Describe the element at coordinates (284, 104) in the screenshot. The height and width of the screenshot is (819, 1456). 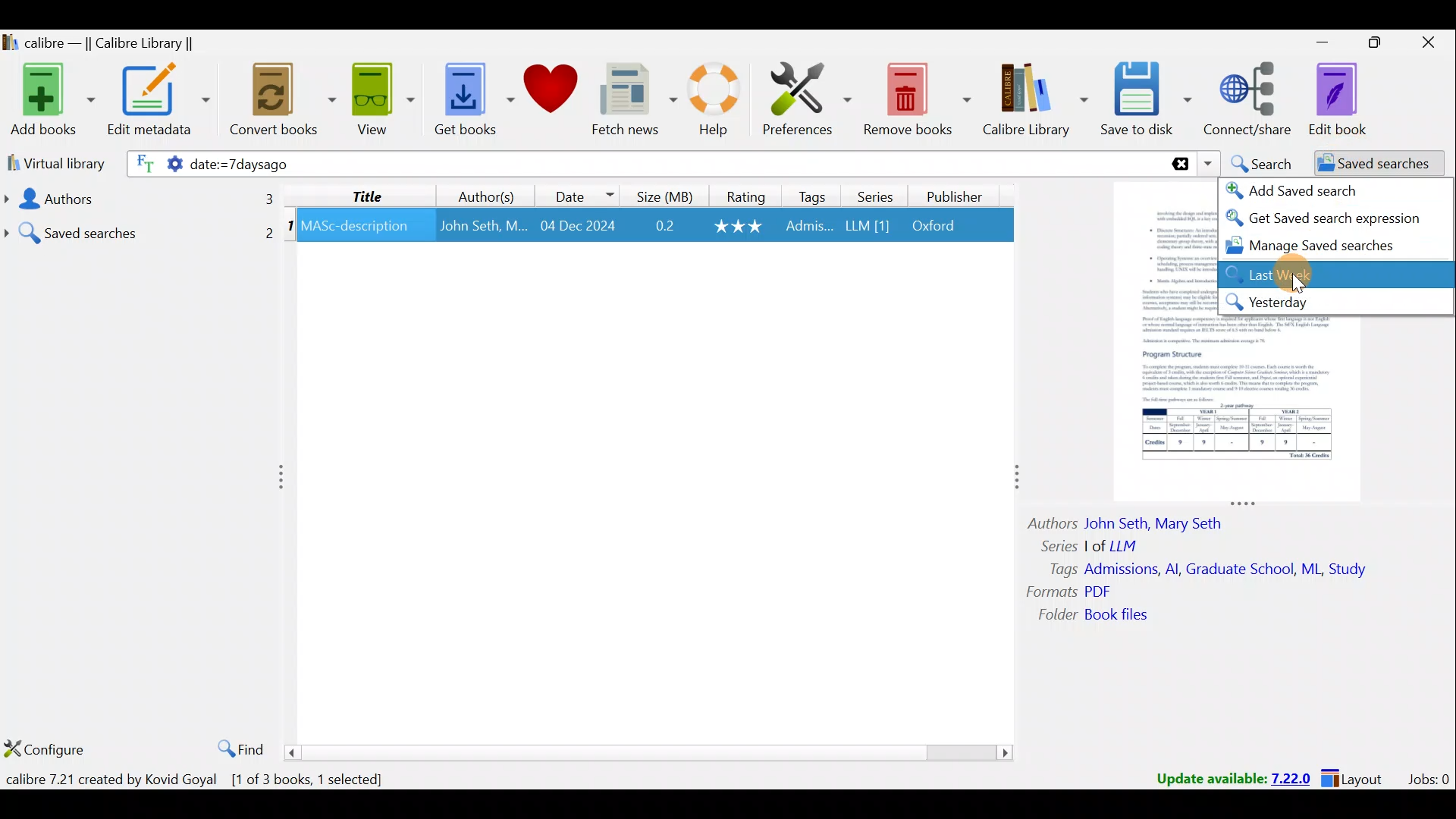
I see `Convert books` at that location.